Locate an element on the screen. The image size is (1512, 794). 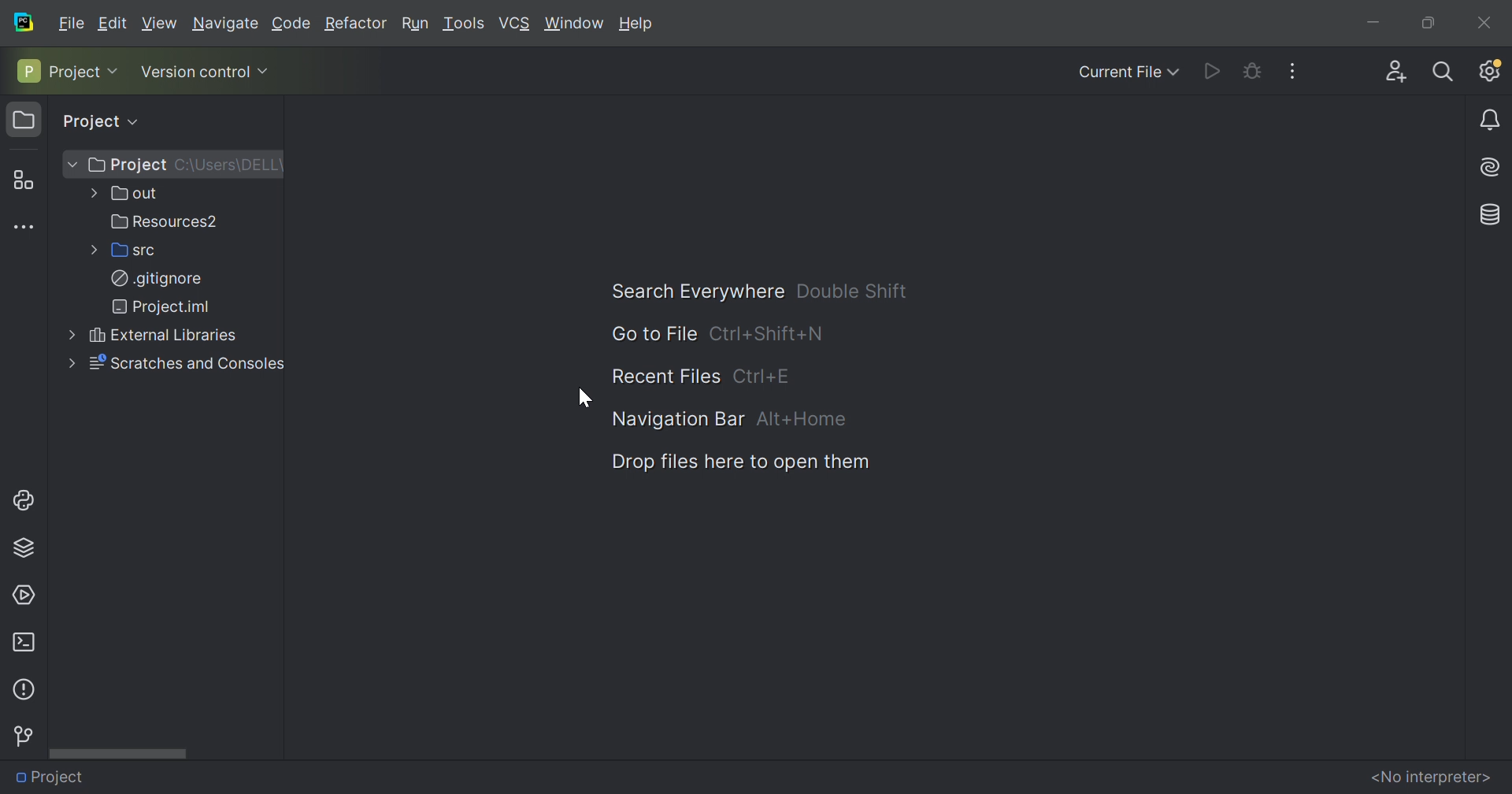
Recent files is located at coordinates (661, 376).